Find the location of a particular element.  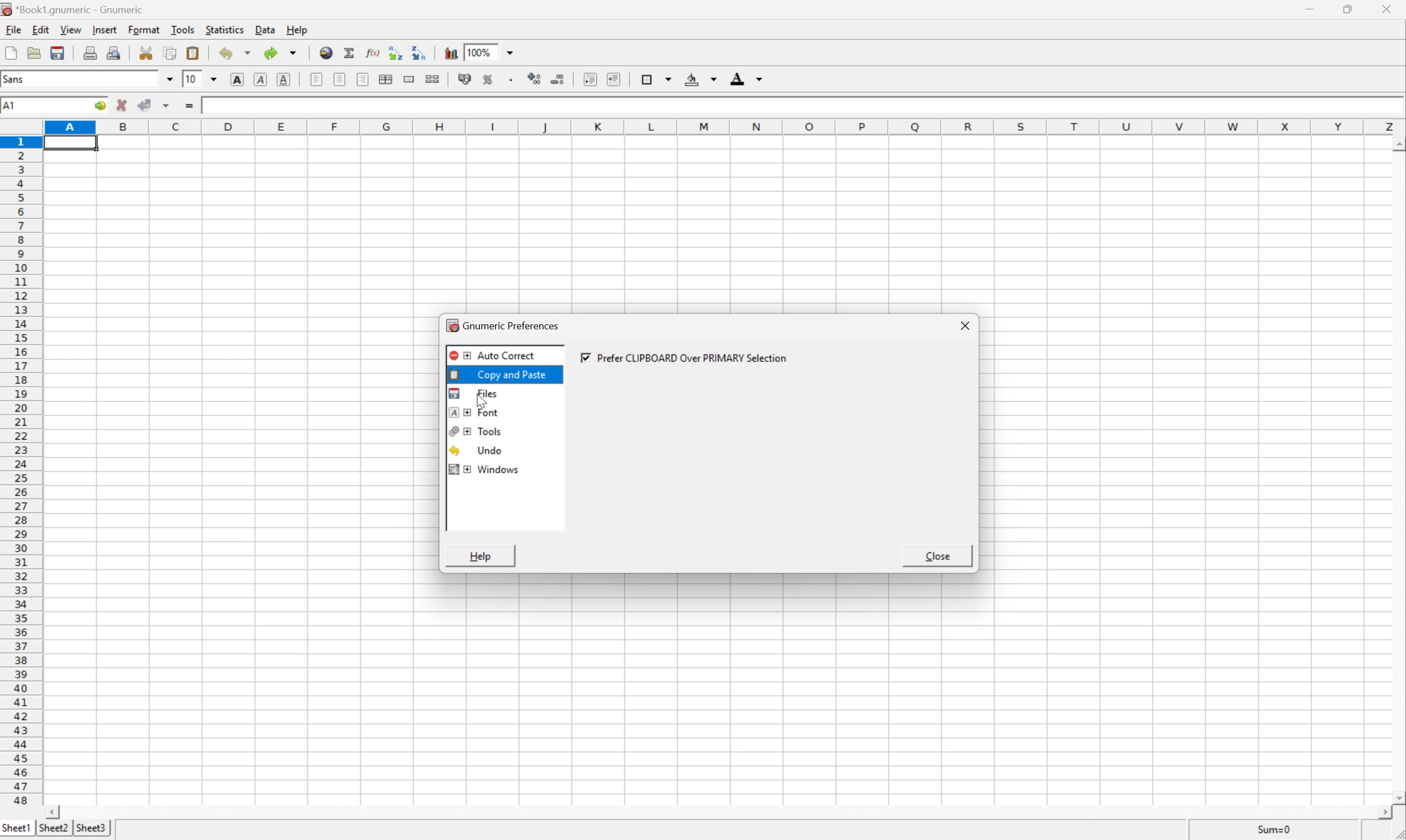

underline is located at coordinates (283, 79).